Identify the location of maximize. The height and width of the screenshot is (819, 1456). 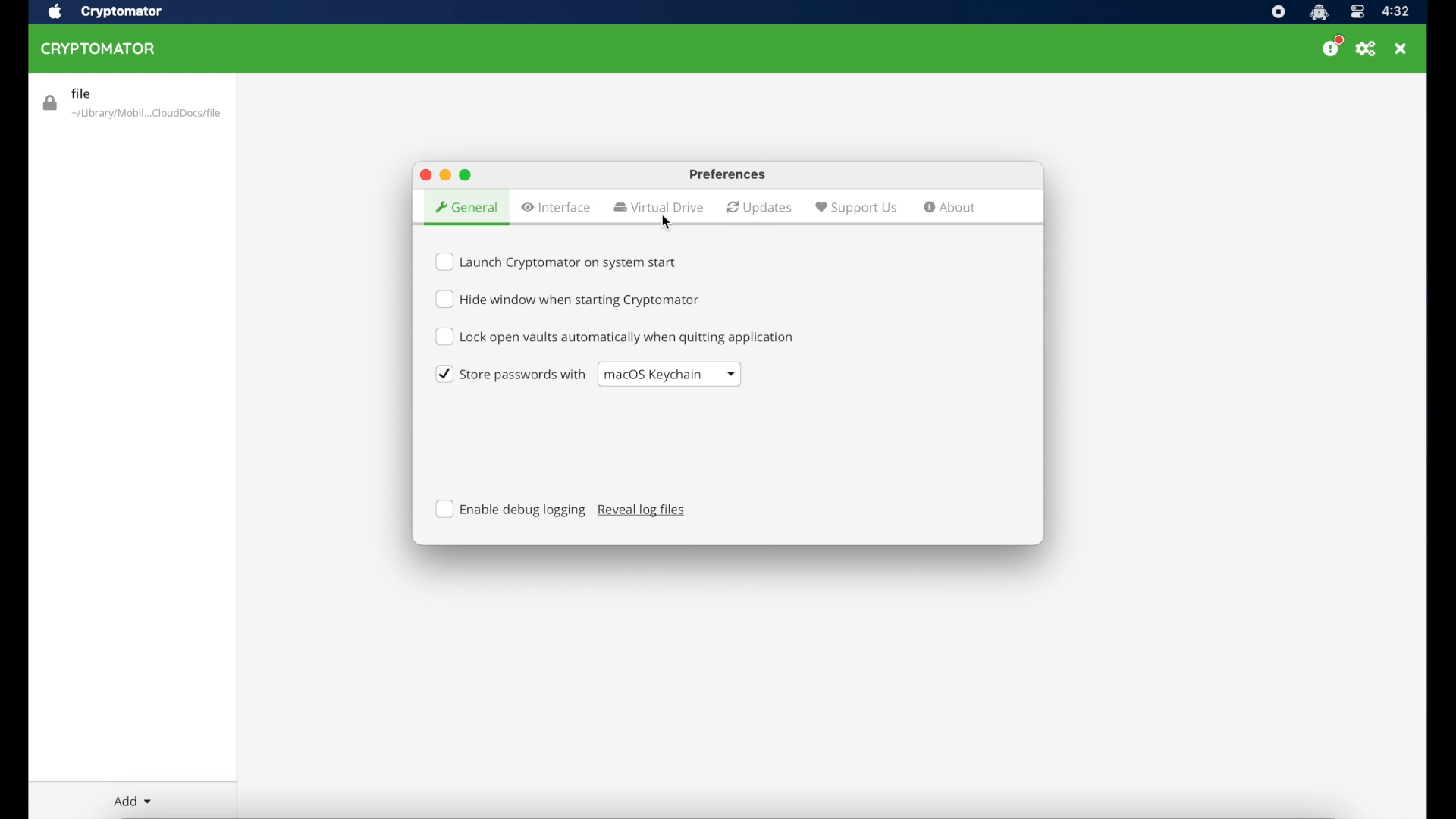
(467, 174).